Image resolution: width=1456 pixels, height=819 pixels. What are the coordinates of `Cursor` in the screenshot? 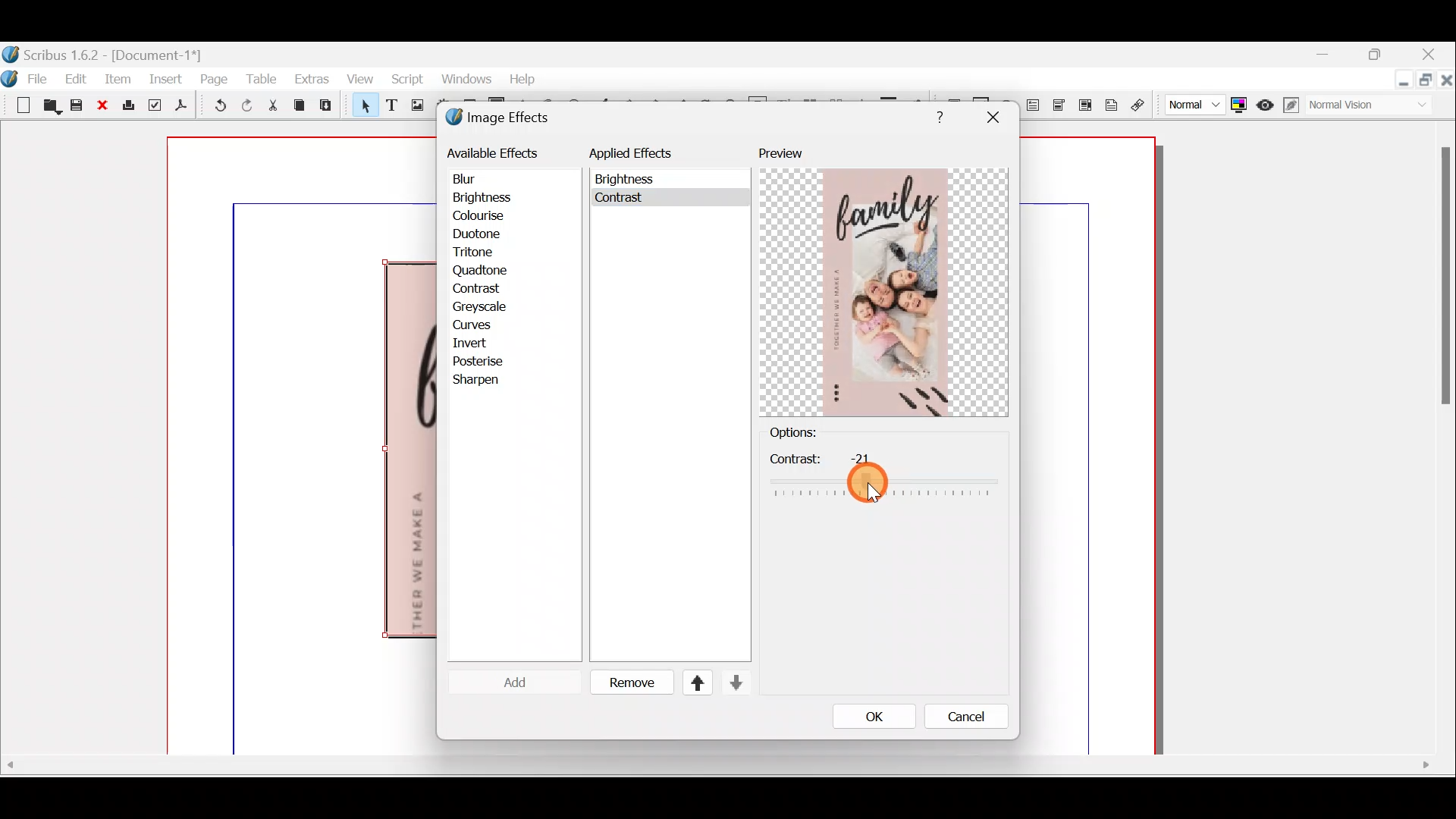 It's located at (868, 487).